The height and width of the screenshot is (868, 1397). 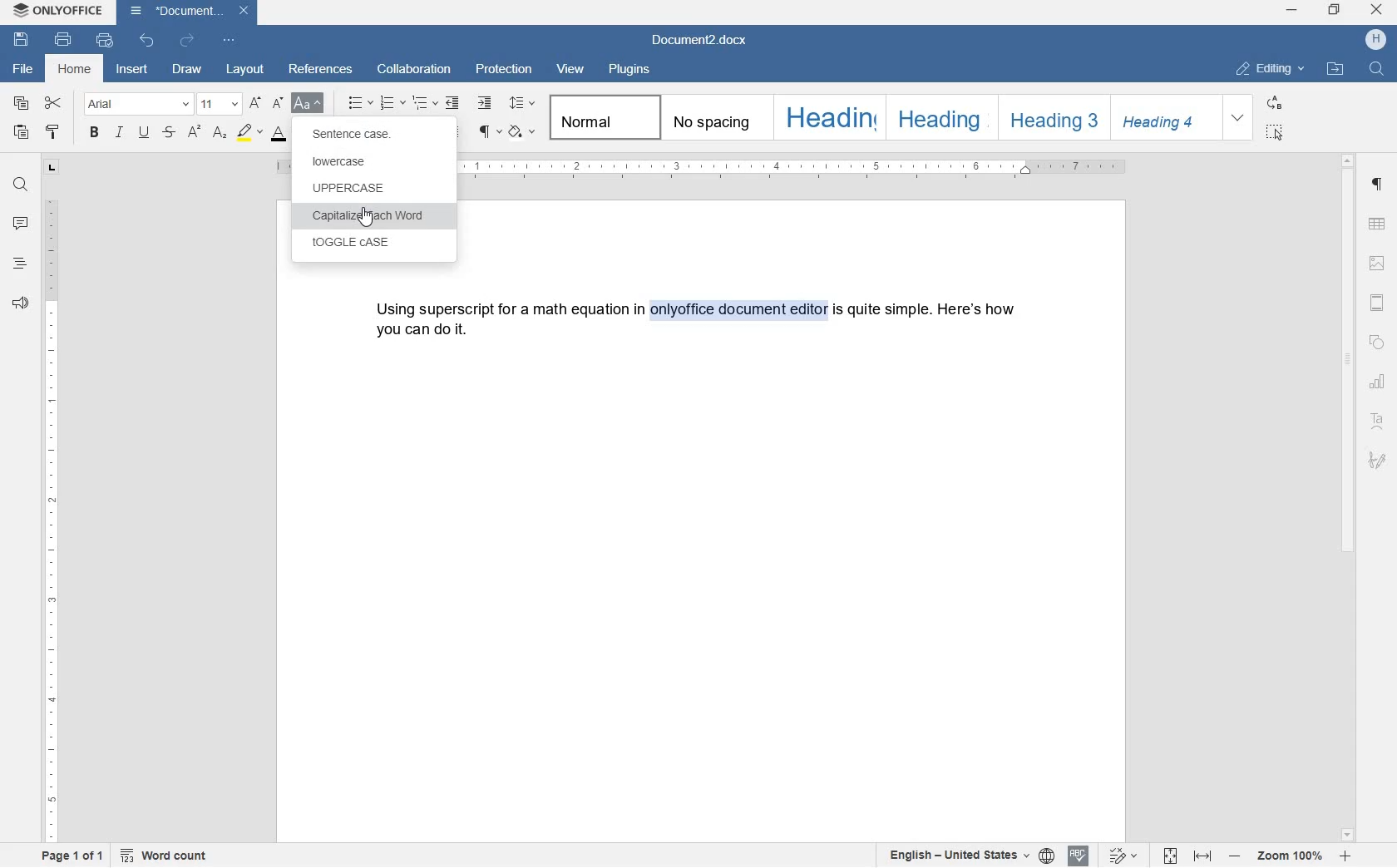 What do you see at coordinates (20, 224) in the screenshot?
I see `comment` at bounding box center [20, 224].